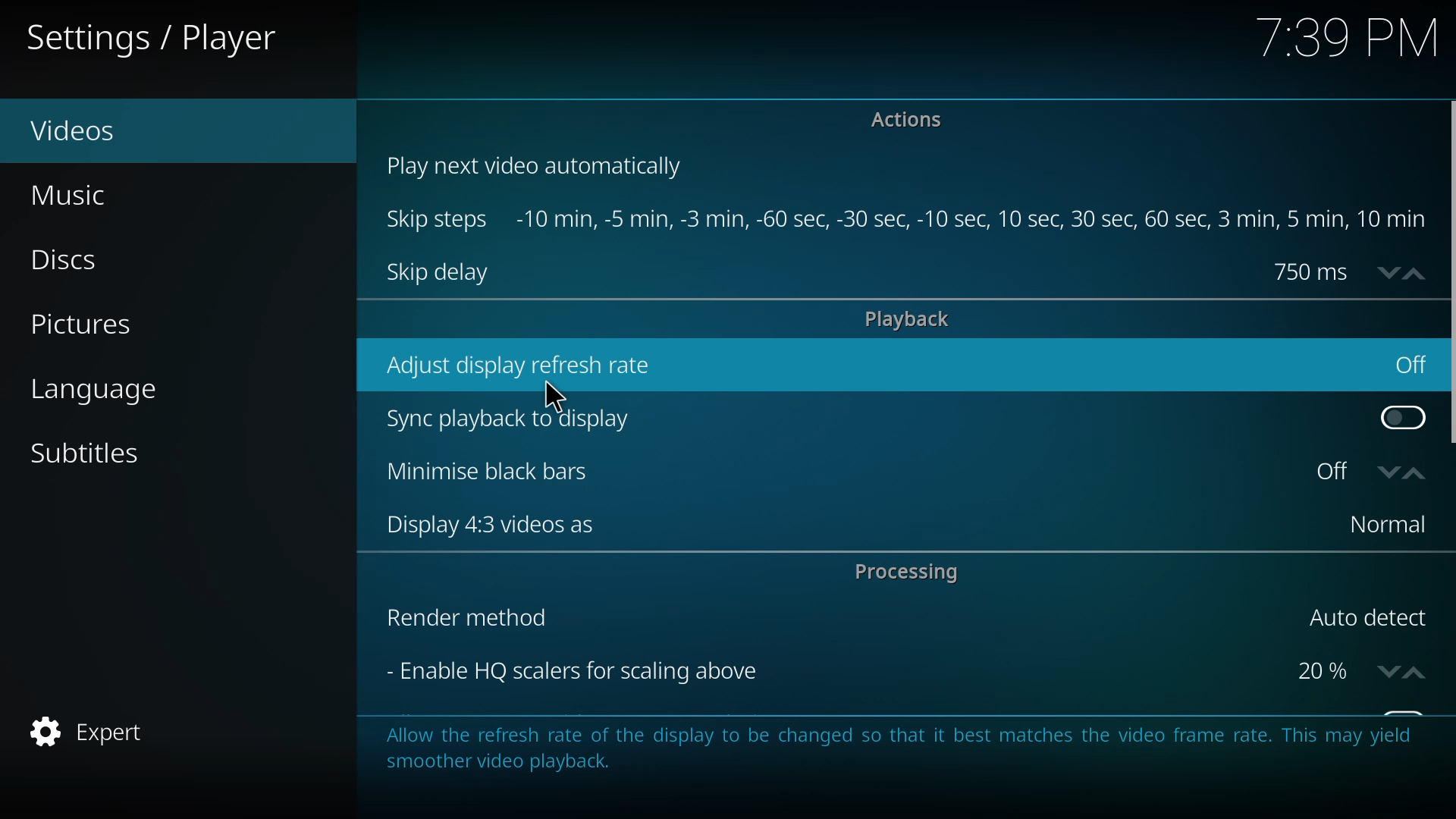 The width and height of the screenshot is (1456, 819). Describe the element at coordinates (895, 748) in the screenshot. I see `info` at that location.